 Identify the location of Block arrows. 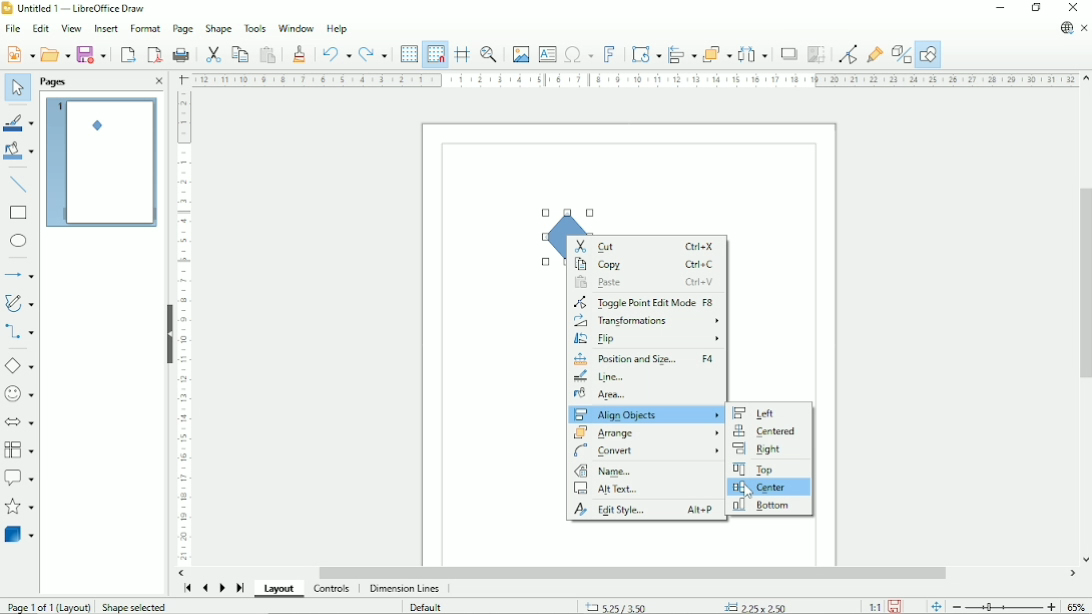
(19, 422).